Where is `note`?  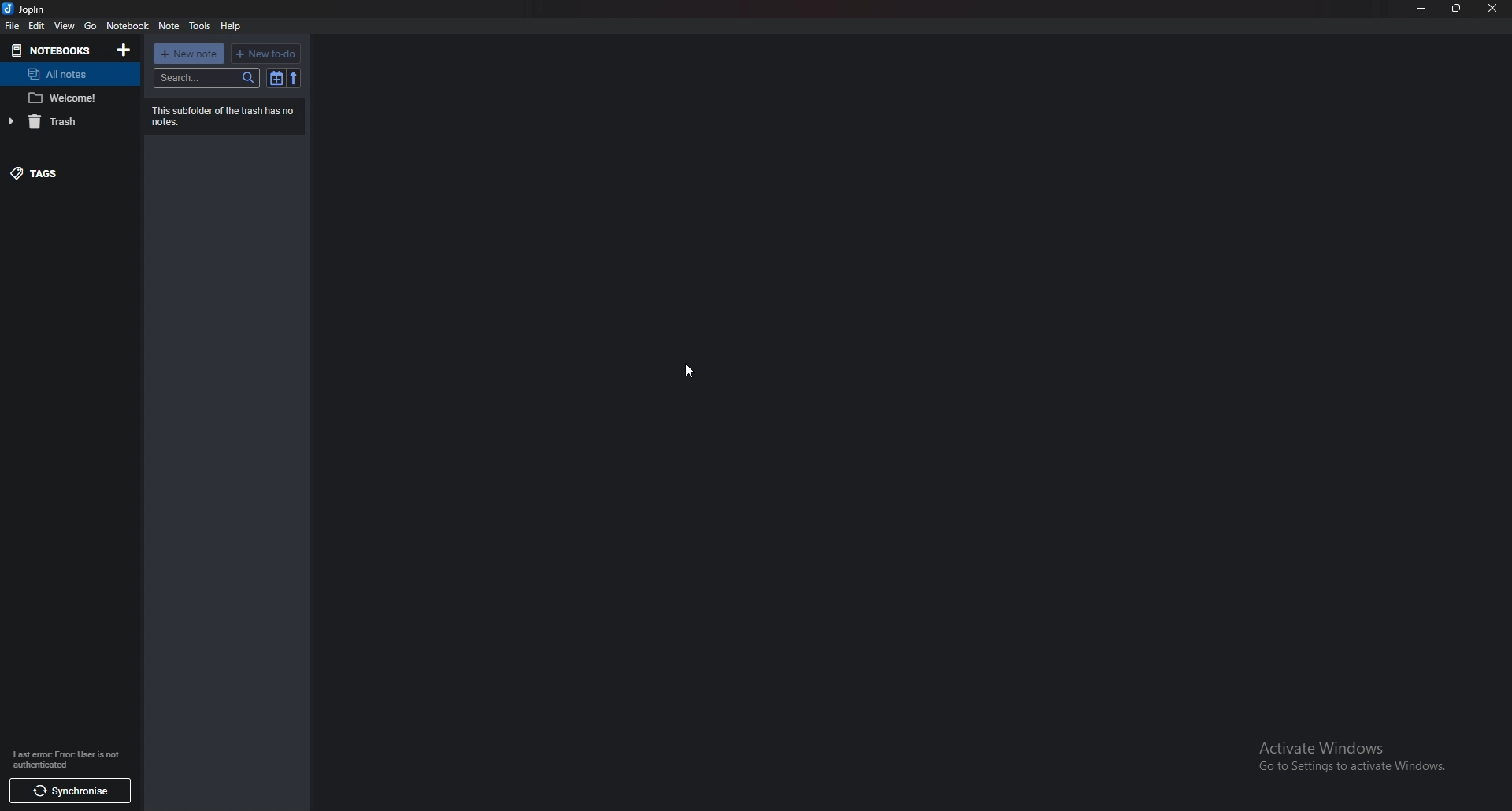 note is located at coordinates (169, 25).